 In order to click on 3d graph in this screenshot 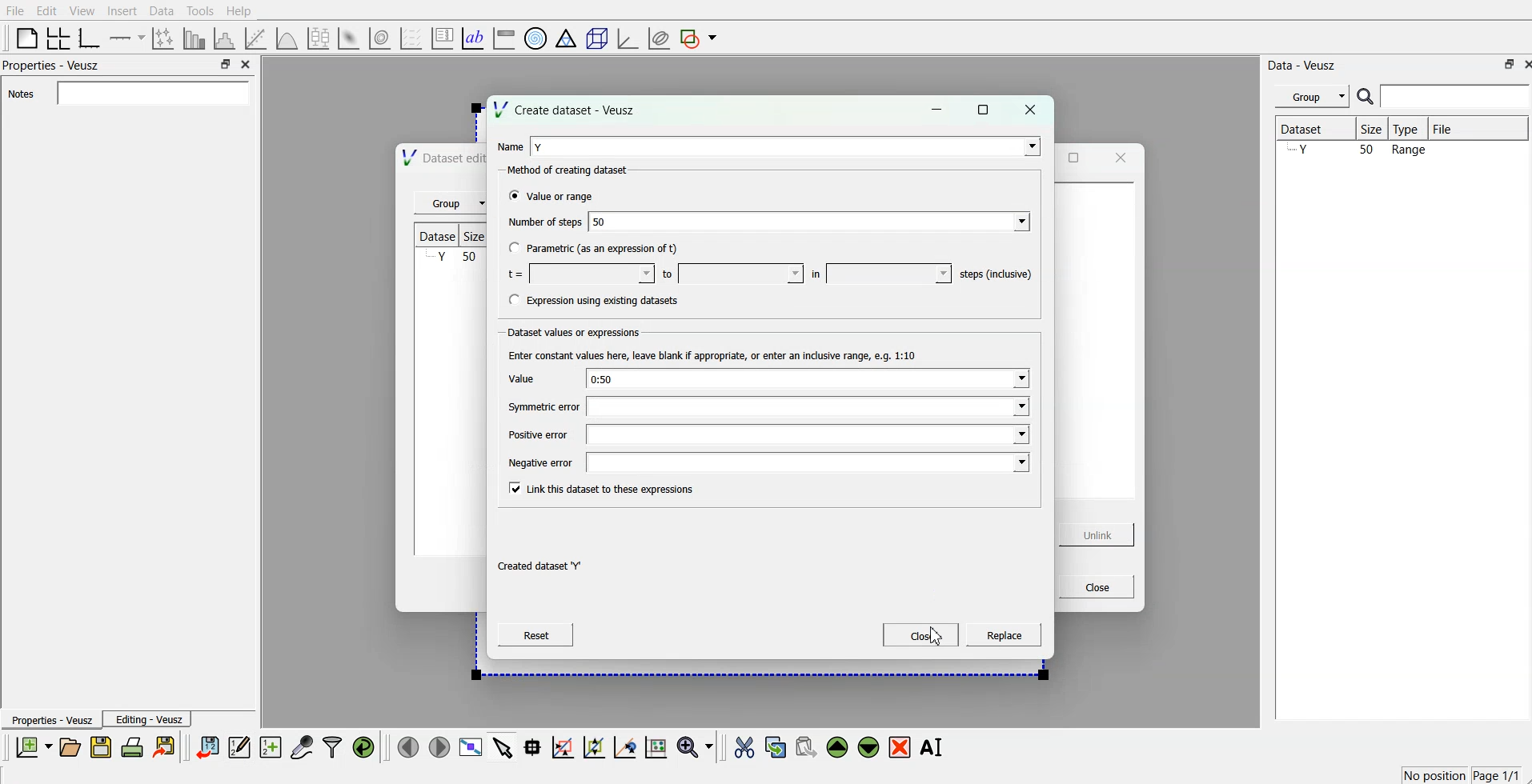, I will do `click(627, 35)`.